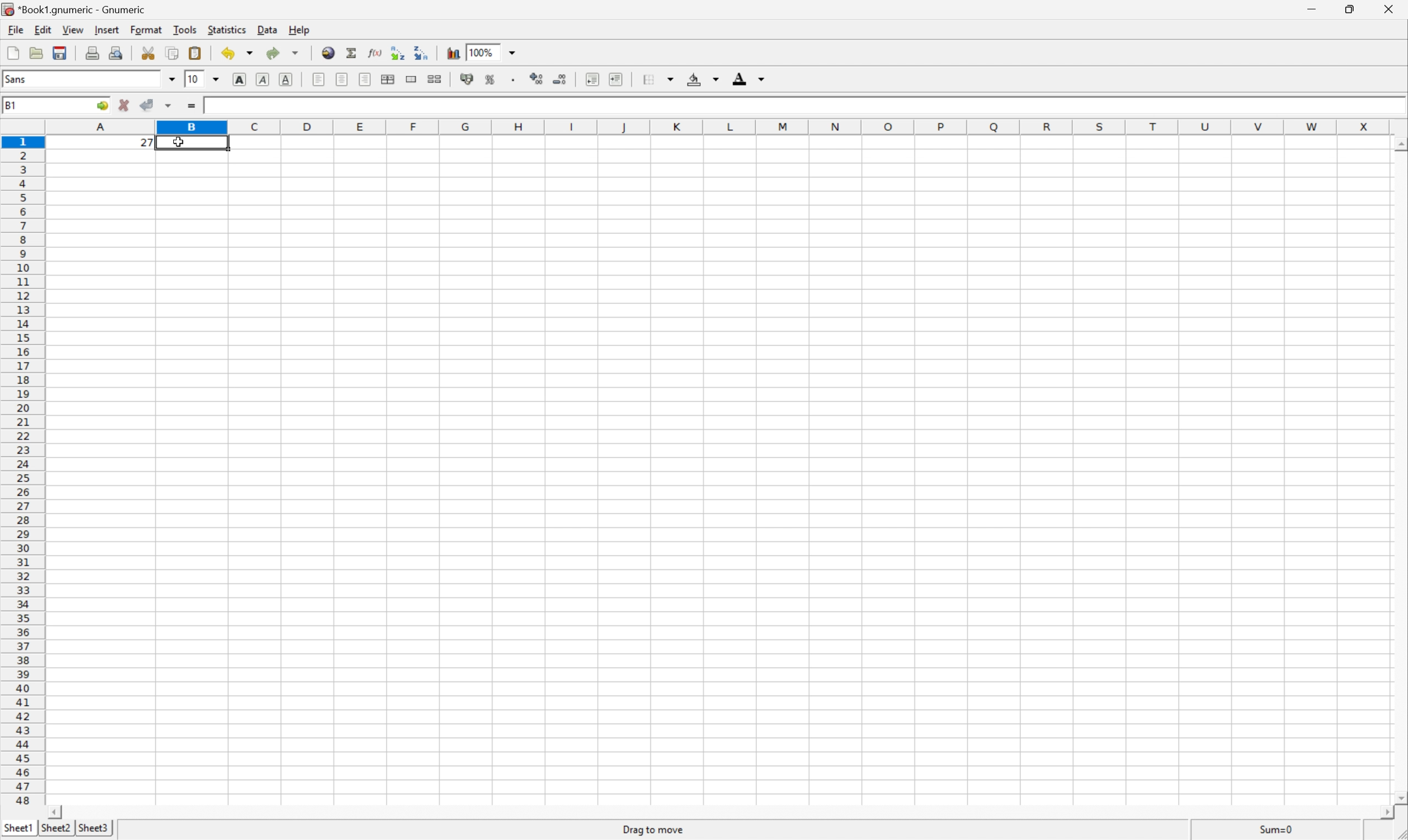 This screenshot has height=840, width=1408. What do you see at coordinates (41, 31) in the screenshot?
I see `Edit` at bounding box center [41, 31].